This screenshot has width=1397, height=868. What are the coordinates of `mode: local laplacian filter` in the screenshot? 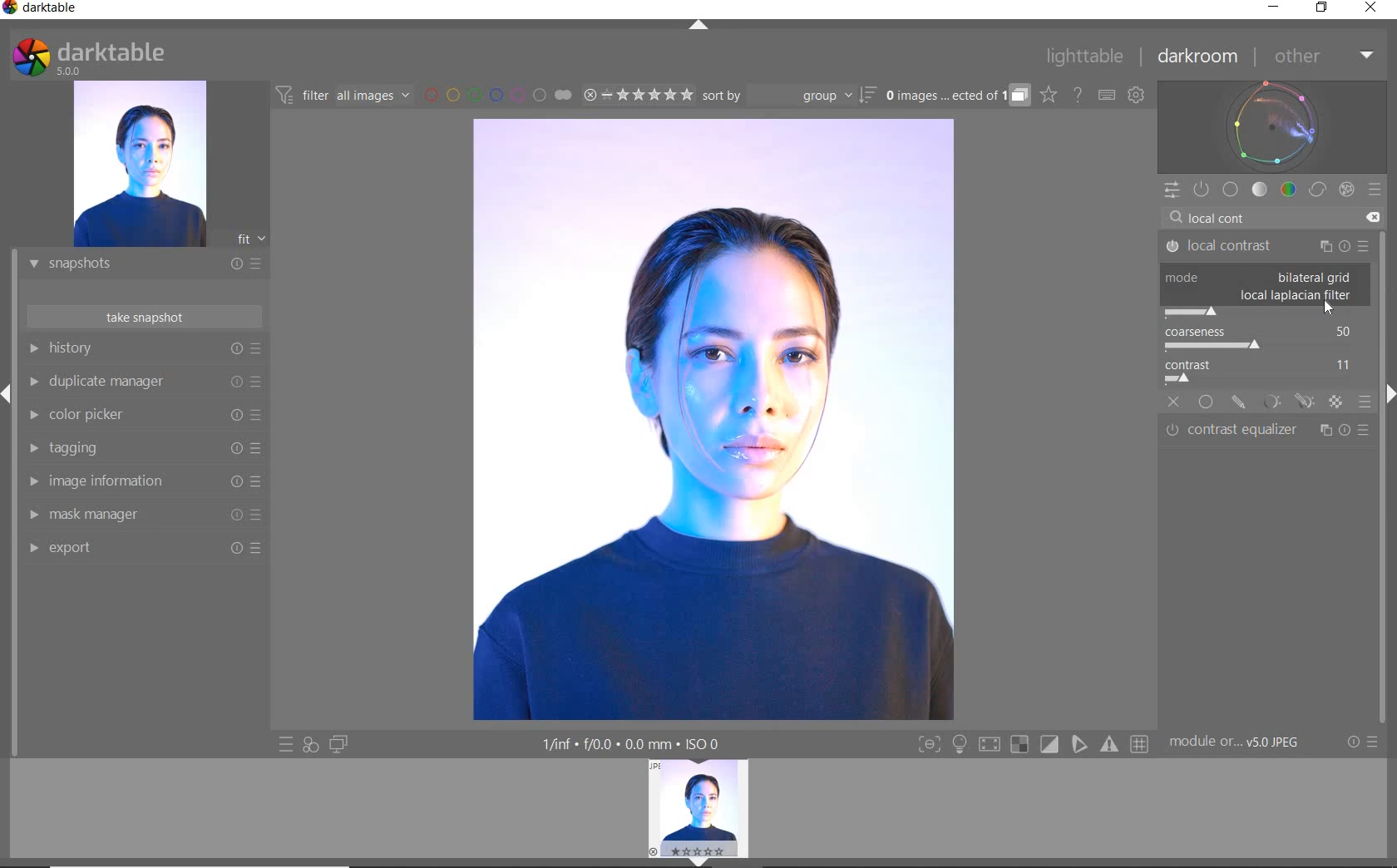 It's located at (1298, 296).